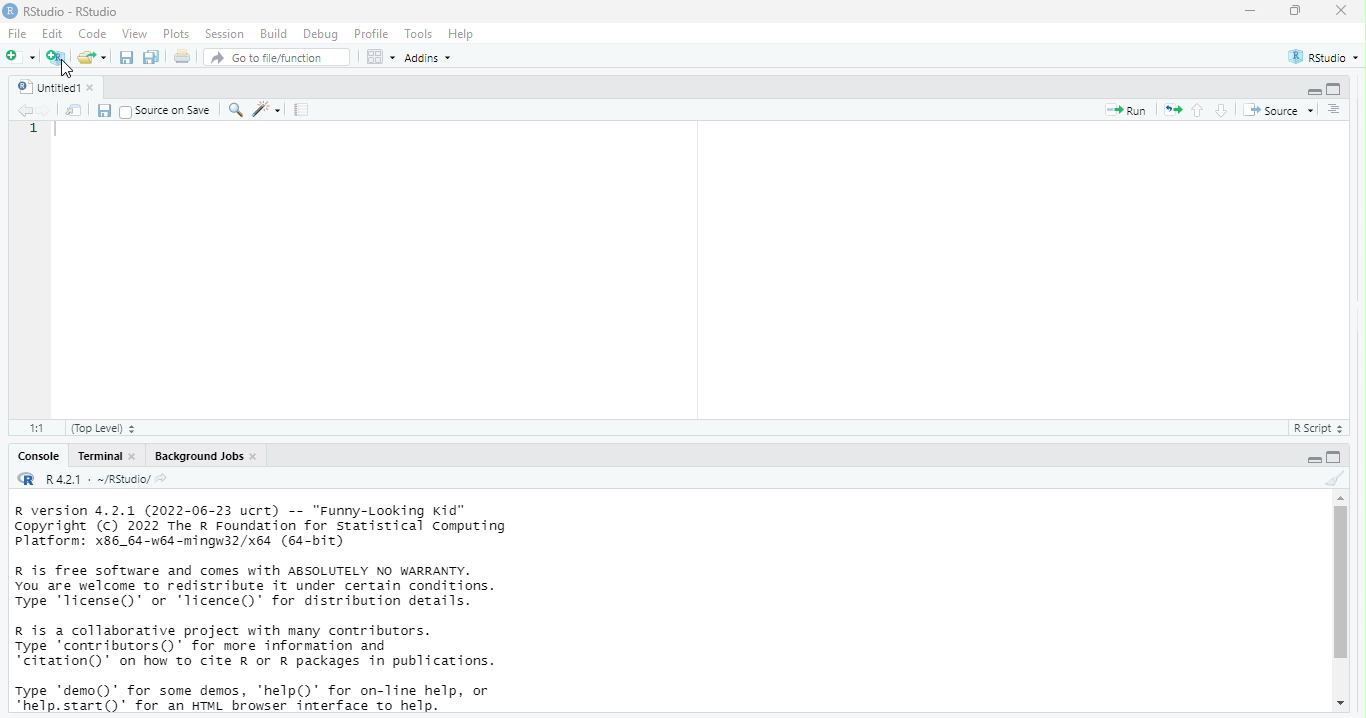  I want to click on RStudio, so click(1325, 53).